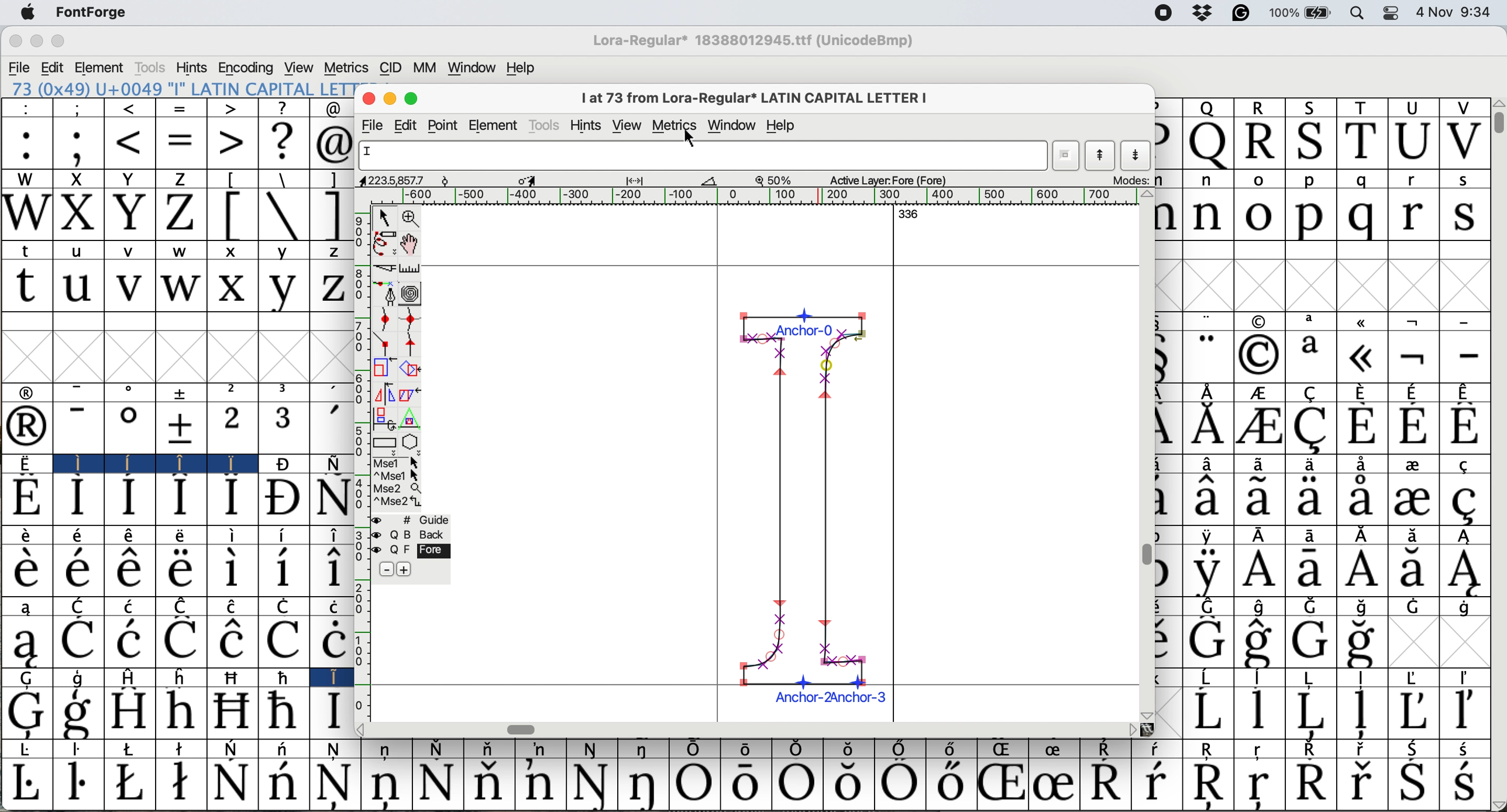  What do you see at coordinates (331, 677) in the screenshot?
I see `I` at bounding box center [331, 677].